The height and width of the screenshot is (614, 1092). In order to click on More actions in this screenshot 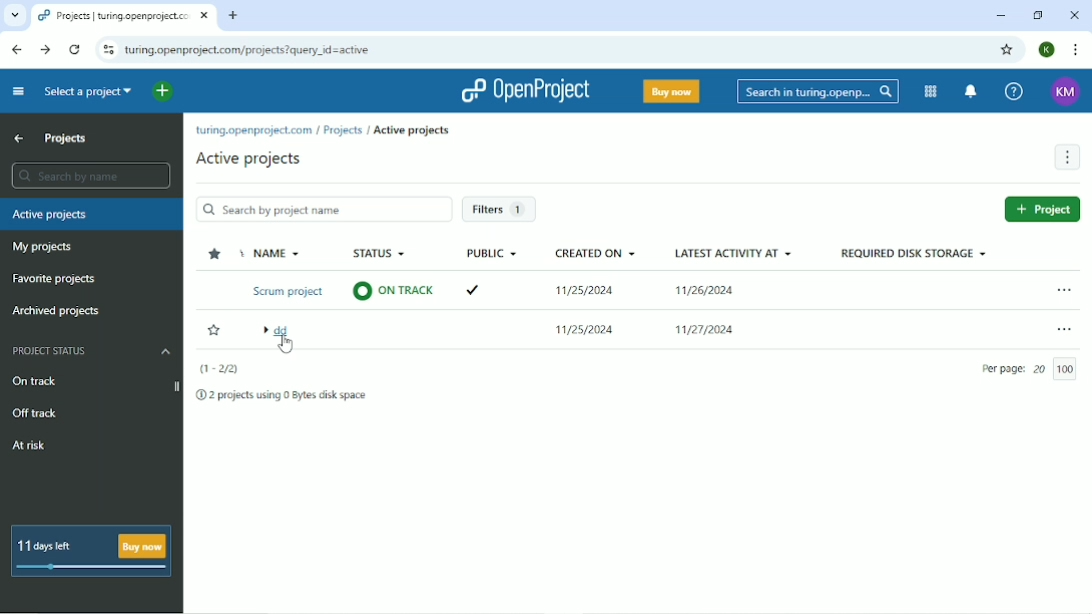, I will do `click(1066, 158)`.